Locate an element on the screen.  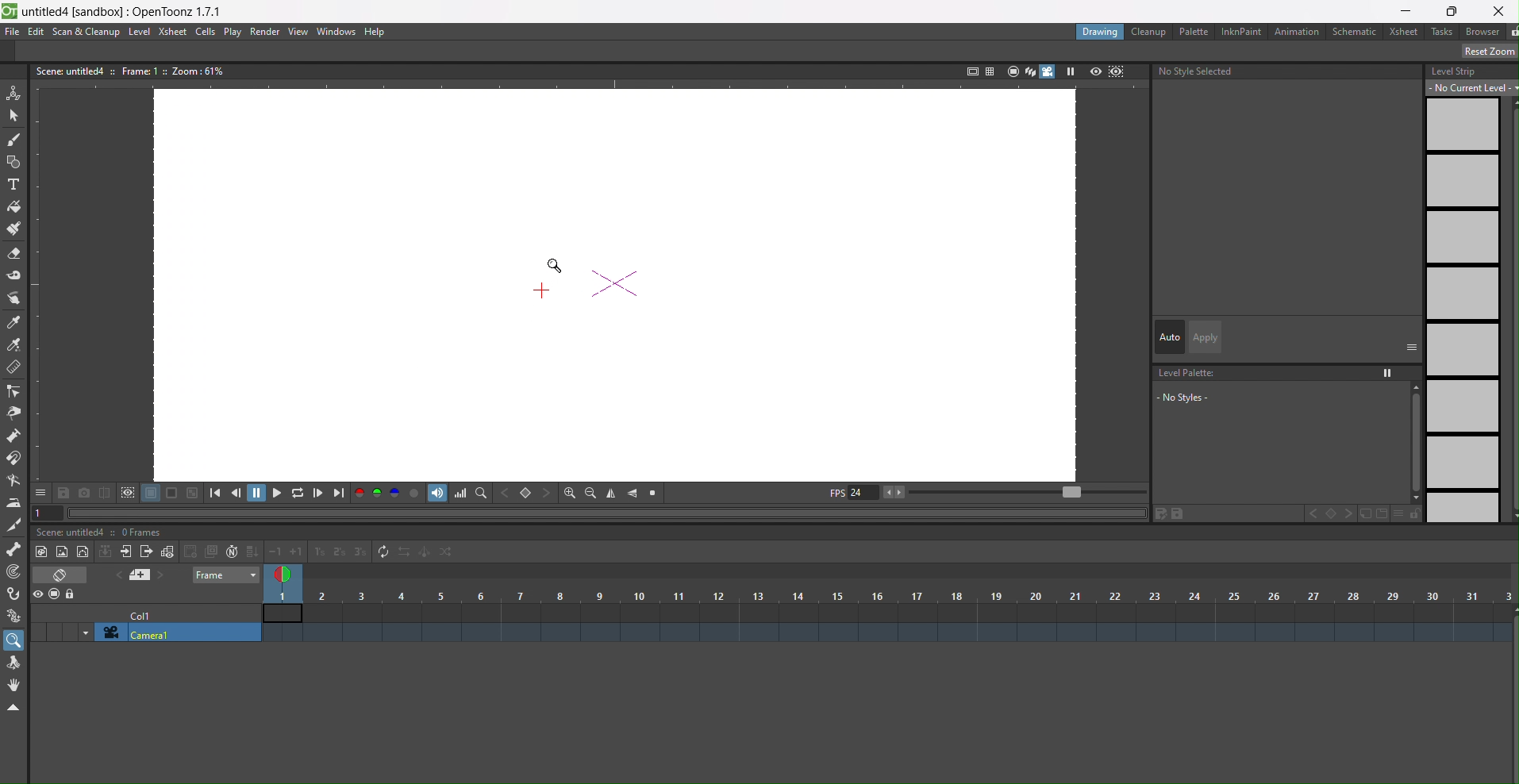
playback options is located at coordinates (278, 493).